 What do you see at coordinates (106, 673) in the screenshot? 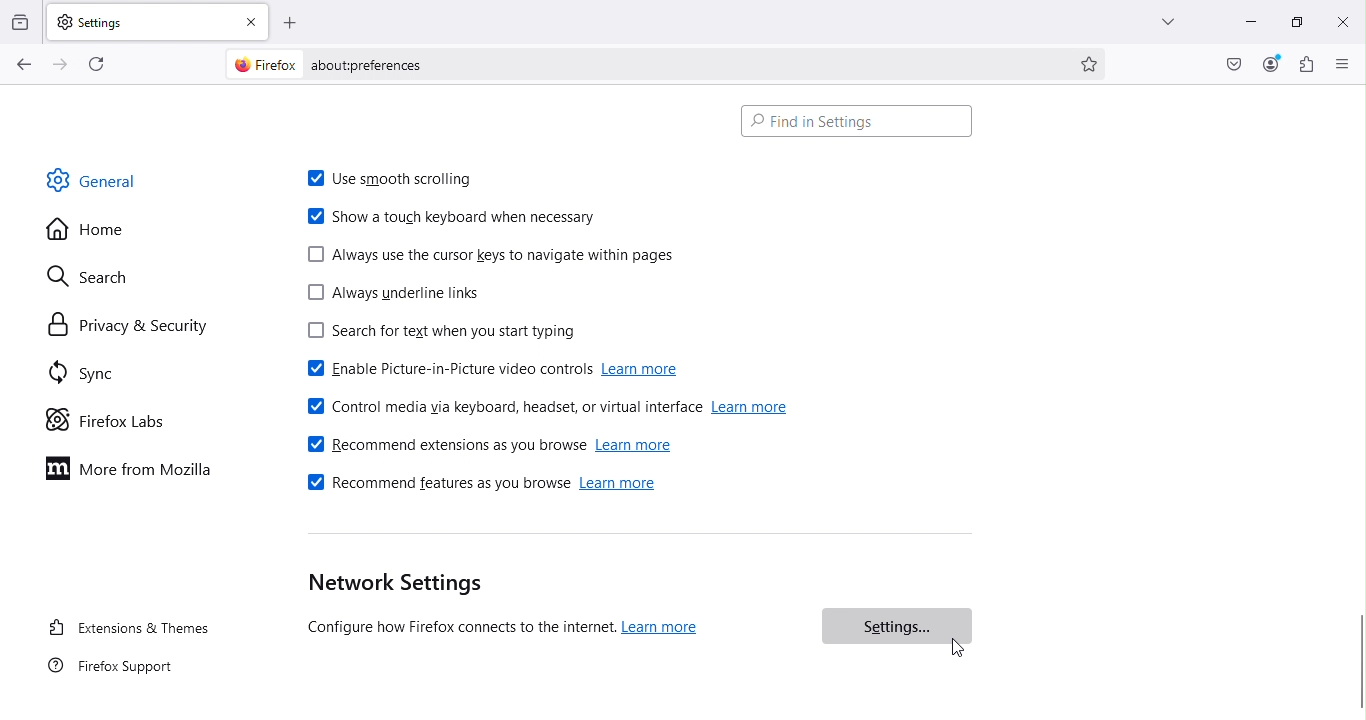
I see `FireFox support` at bounding box center [106, 673].